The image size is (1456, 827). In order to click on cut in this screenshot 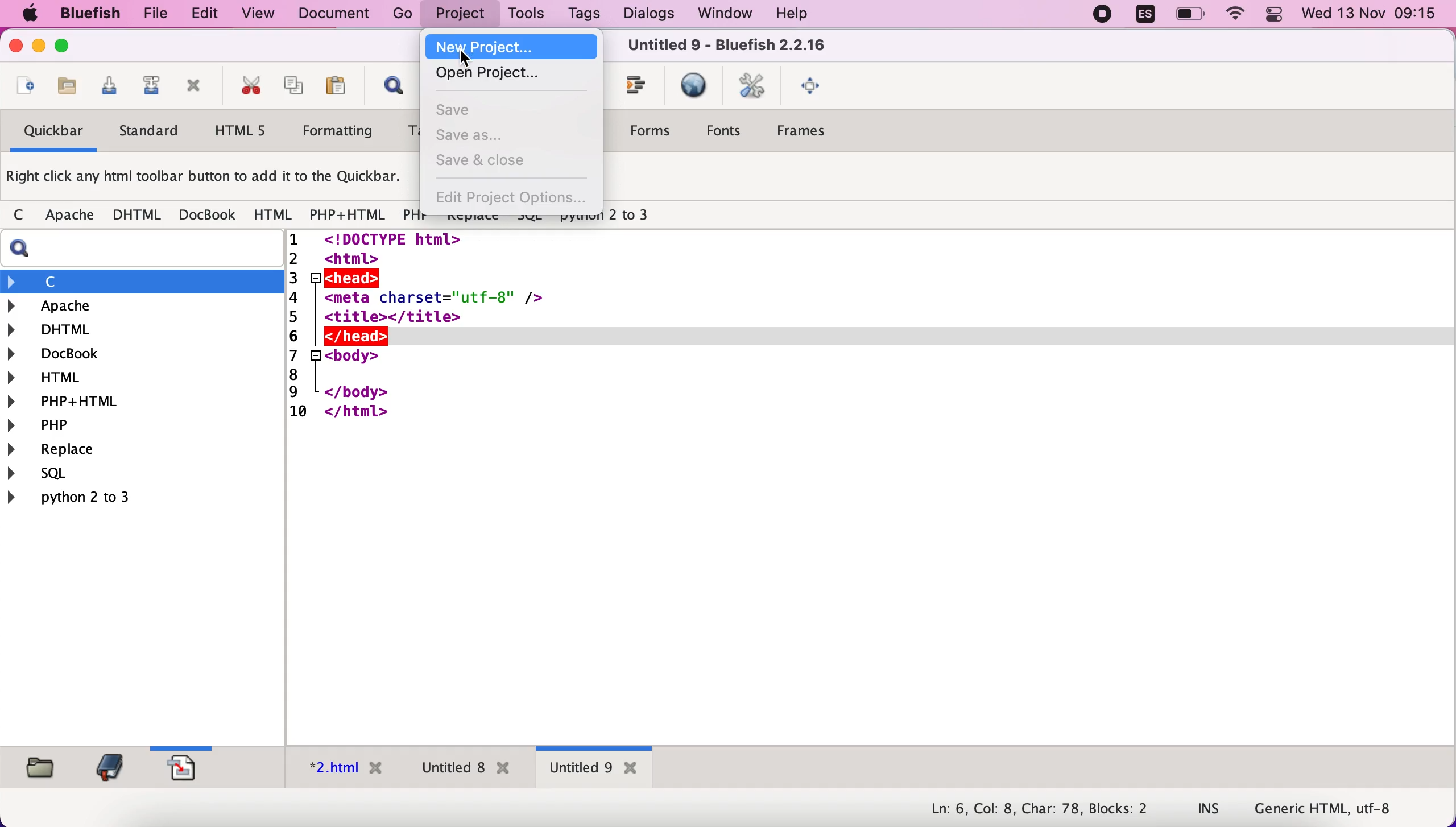, I will do `click(247, 88)`.